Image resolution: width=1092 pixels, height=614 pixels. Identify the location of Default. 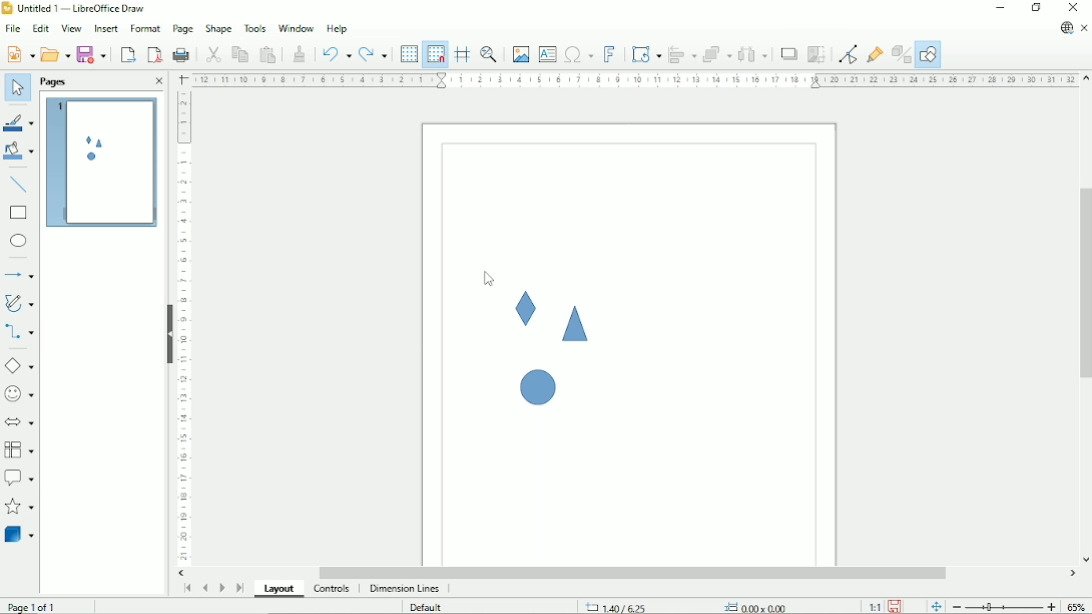
(425, 607).